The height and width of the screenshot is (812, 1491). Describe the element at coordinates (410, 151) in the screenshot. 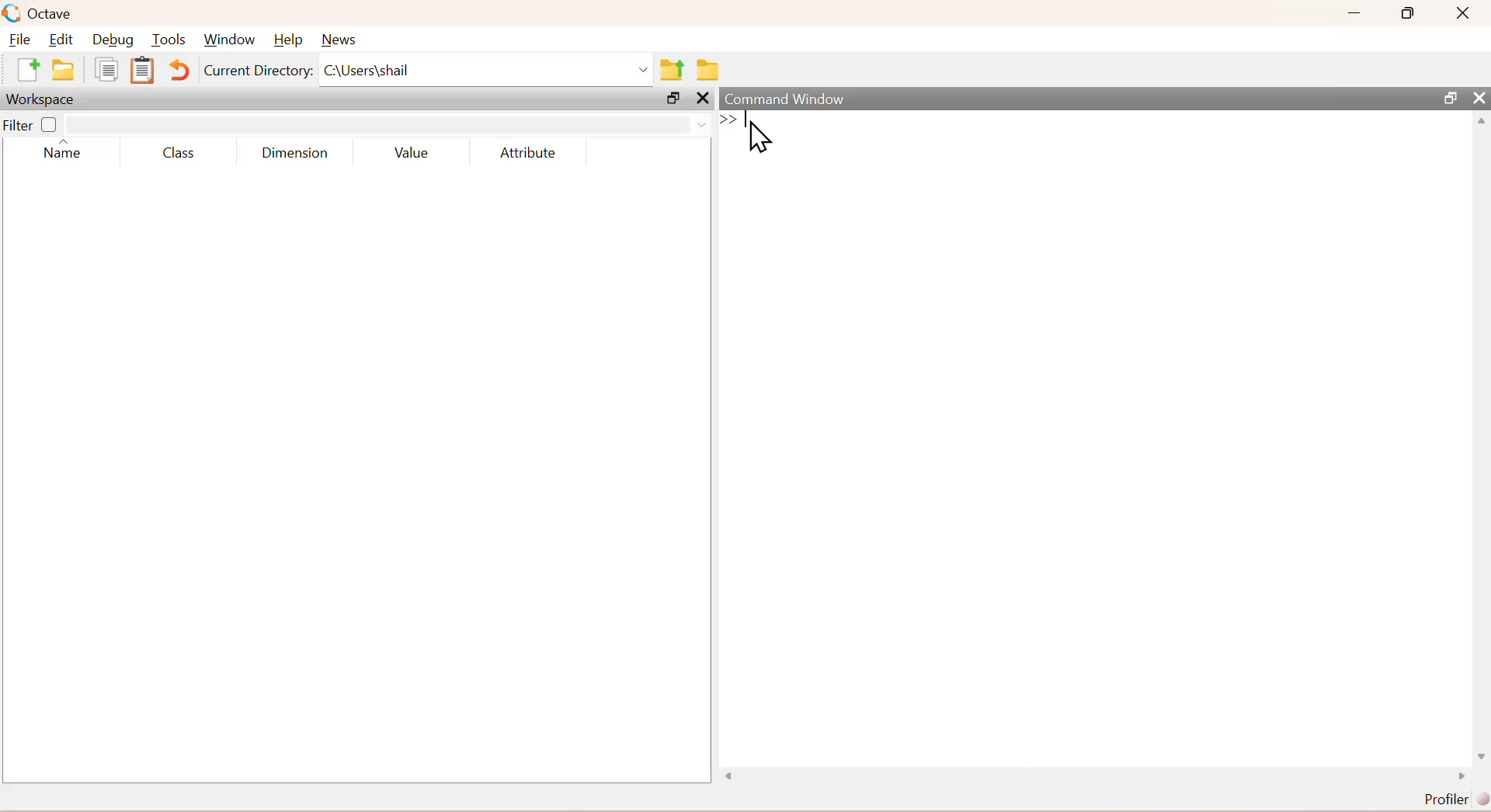

I see `Value` at that location.